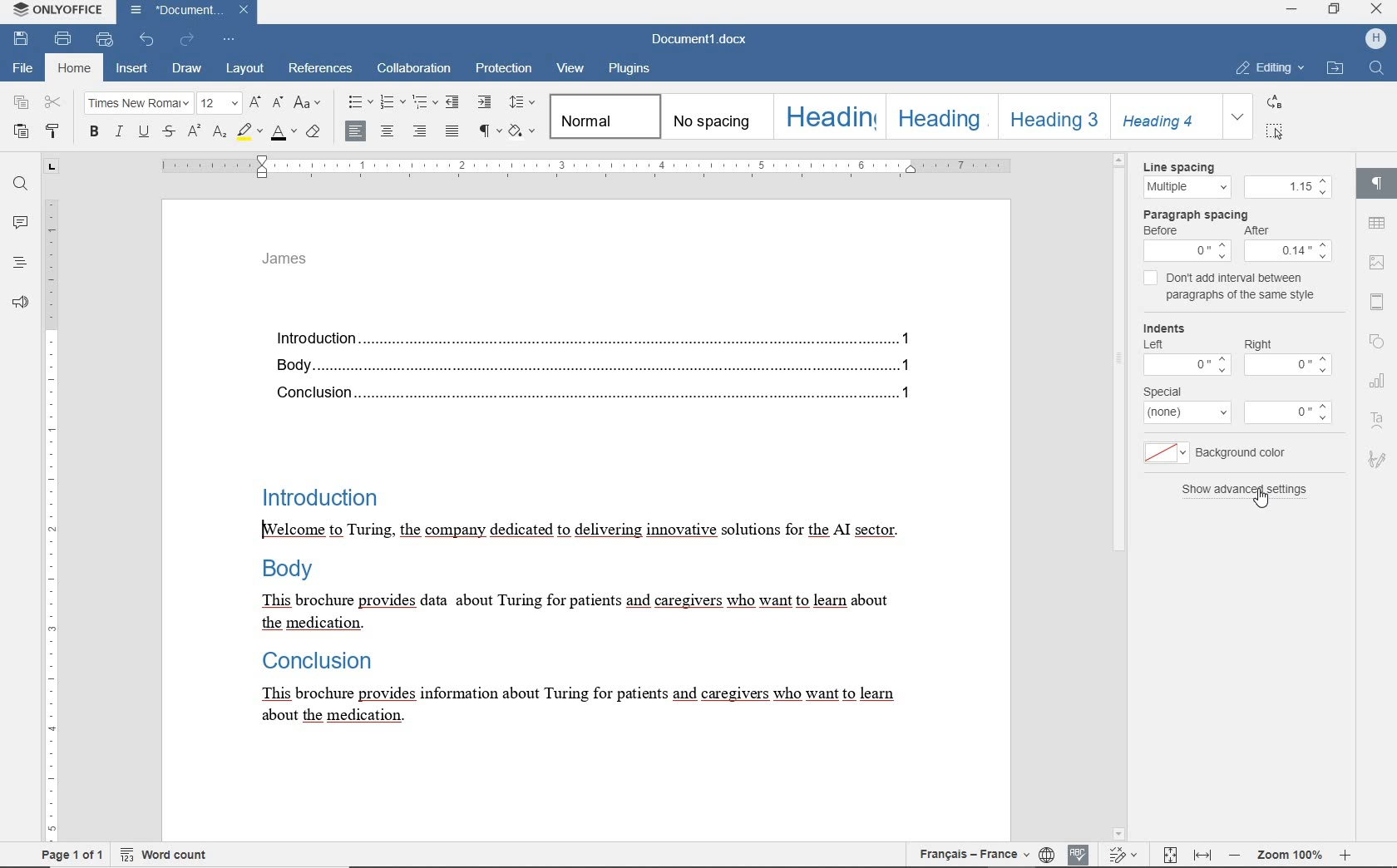 This screenshot has height=868, width=1397. What do you see at coordinates (412, 68) in the screenshot?
I see `collaboration` at bounding box center [412, 68].